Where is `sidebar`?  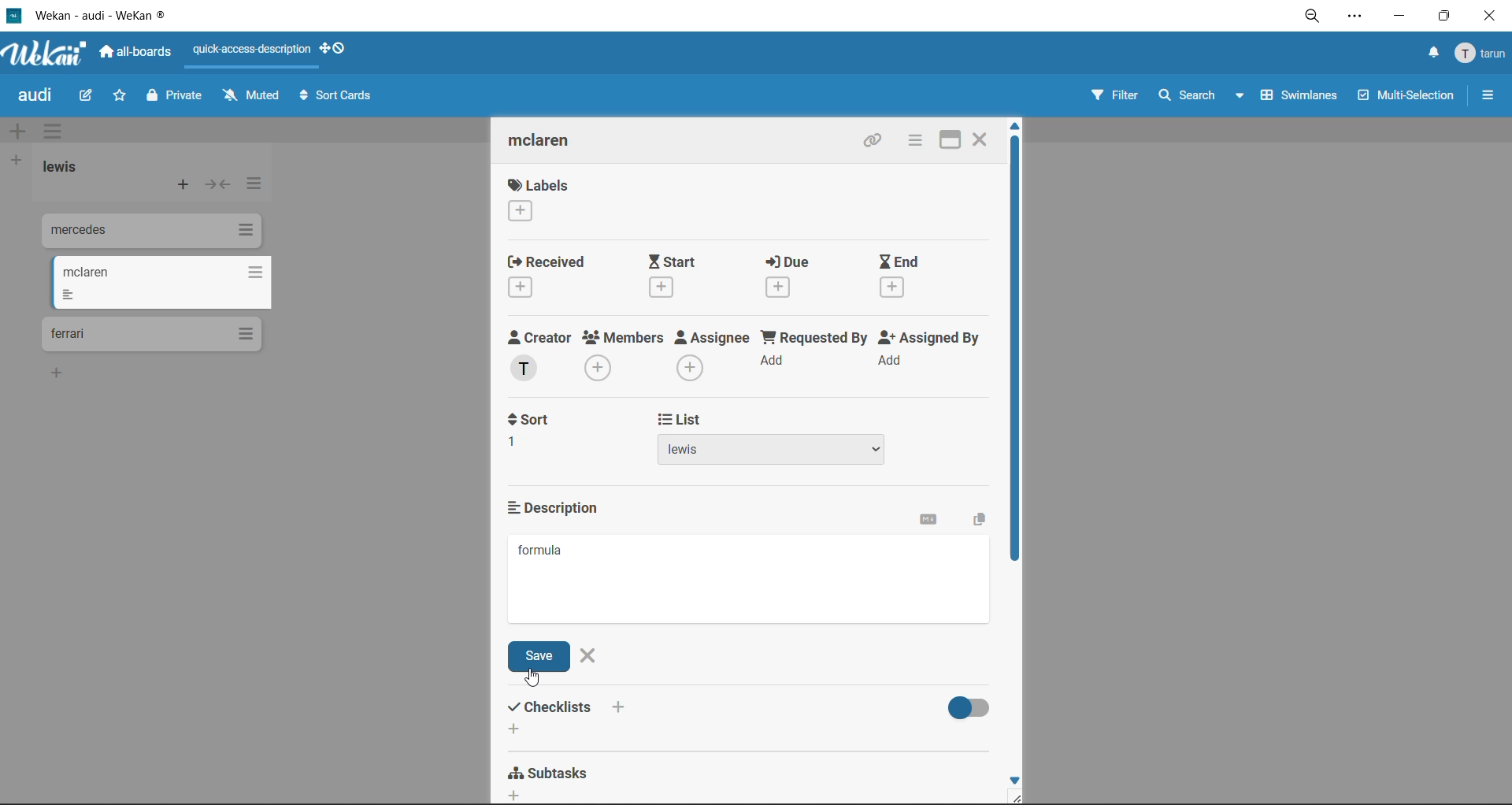 sidebar is located at coordinates (1488, 95).